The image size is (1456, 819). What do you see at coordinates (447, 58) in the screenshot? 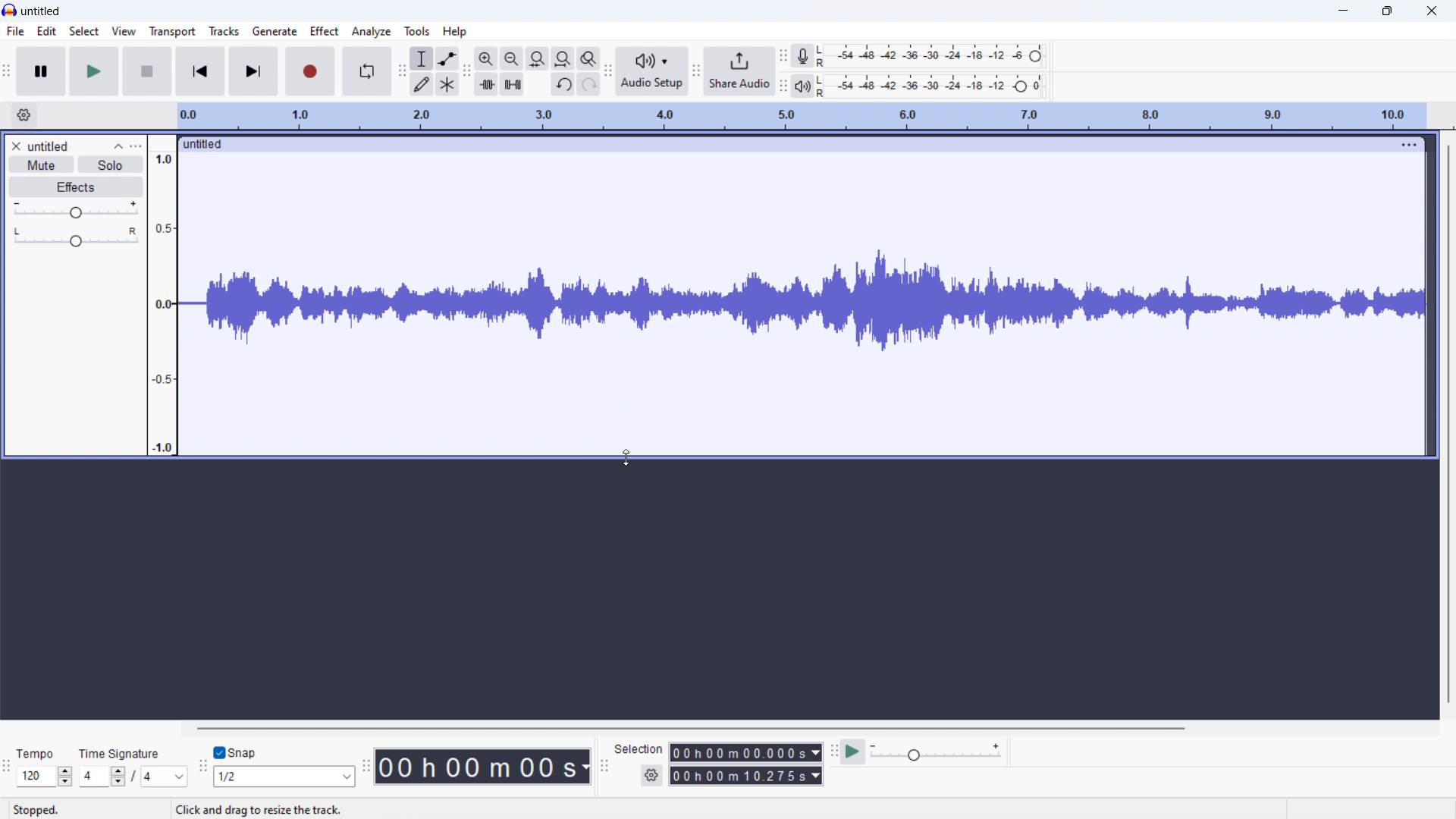
I see `envelop tool` at bounding box center [447, 58].